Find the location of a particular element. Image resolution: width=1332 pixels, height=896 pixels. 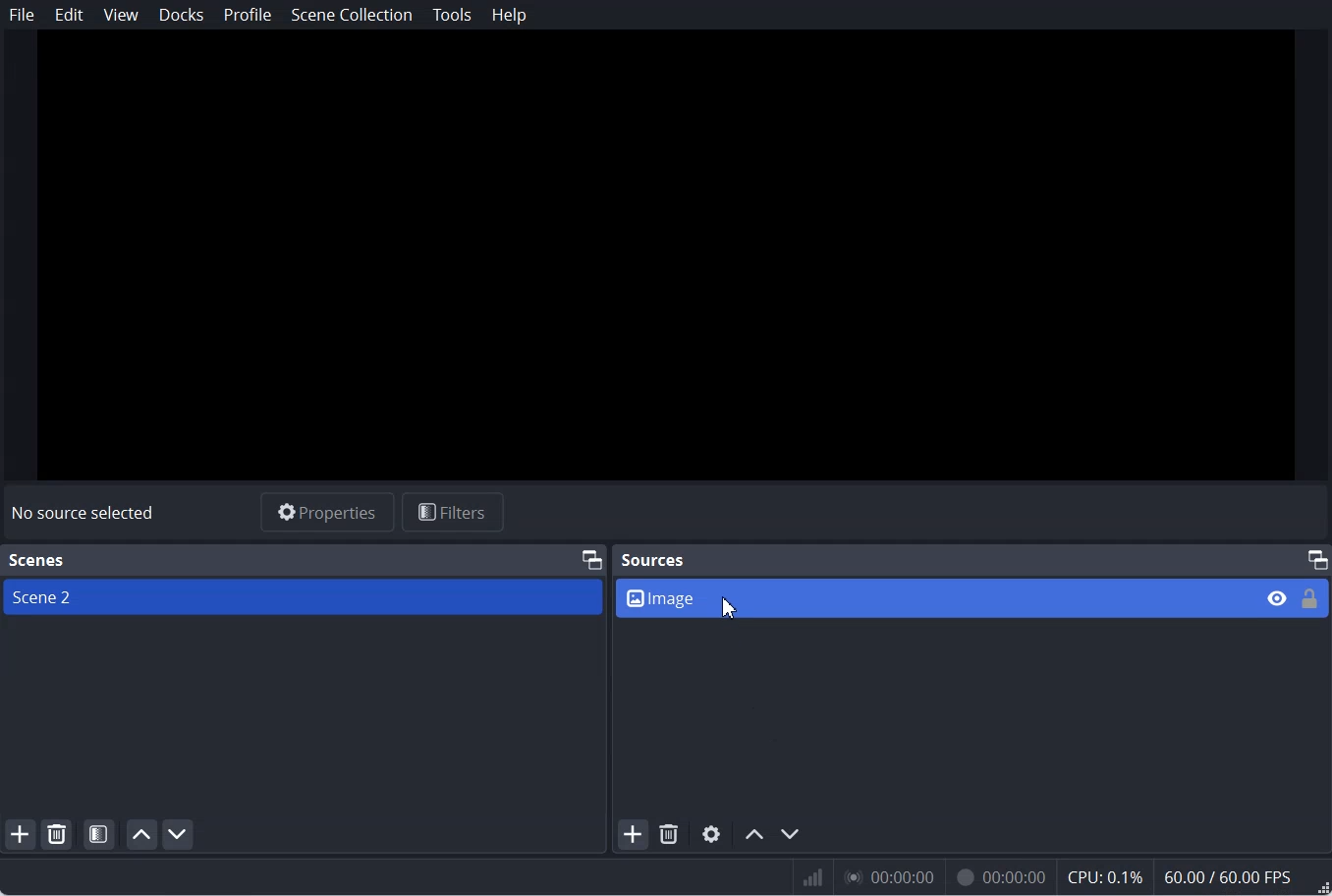

Cursor is located at coordinates (731, 605).